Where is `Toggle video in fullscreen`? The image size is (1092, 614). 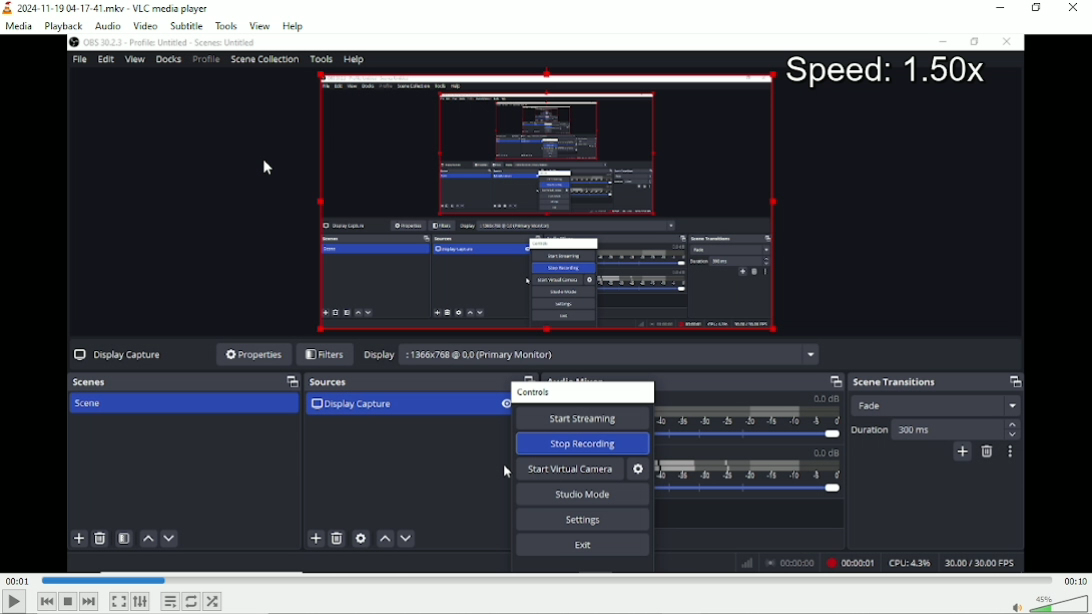 Toggle video in fullscreen is located at coordinates (119, 602).